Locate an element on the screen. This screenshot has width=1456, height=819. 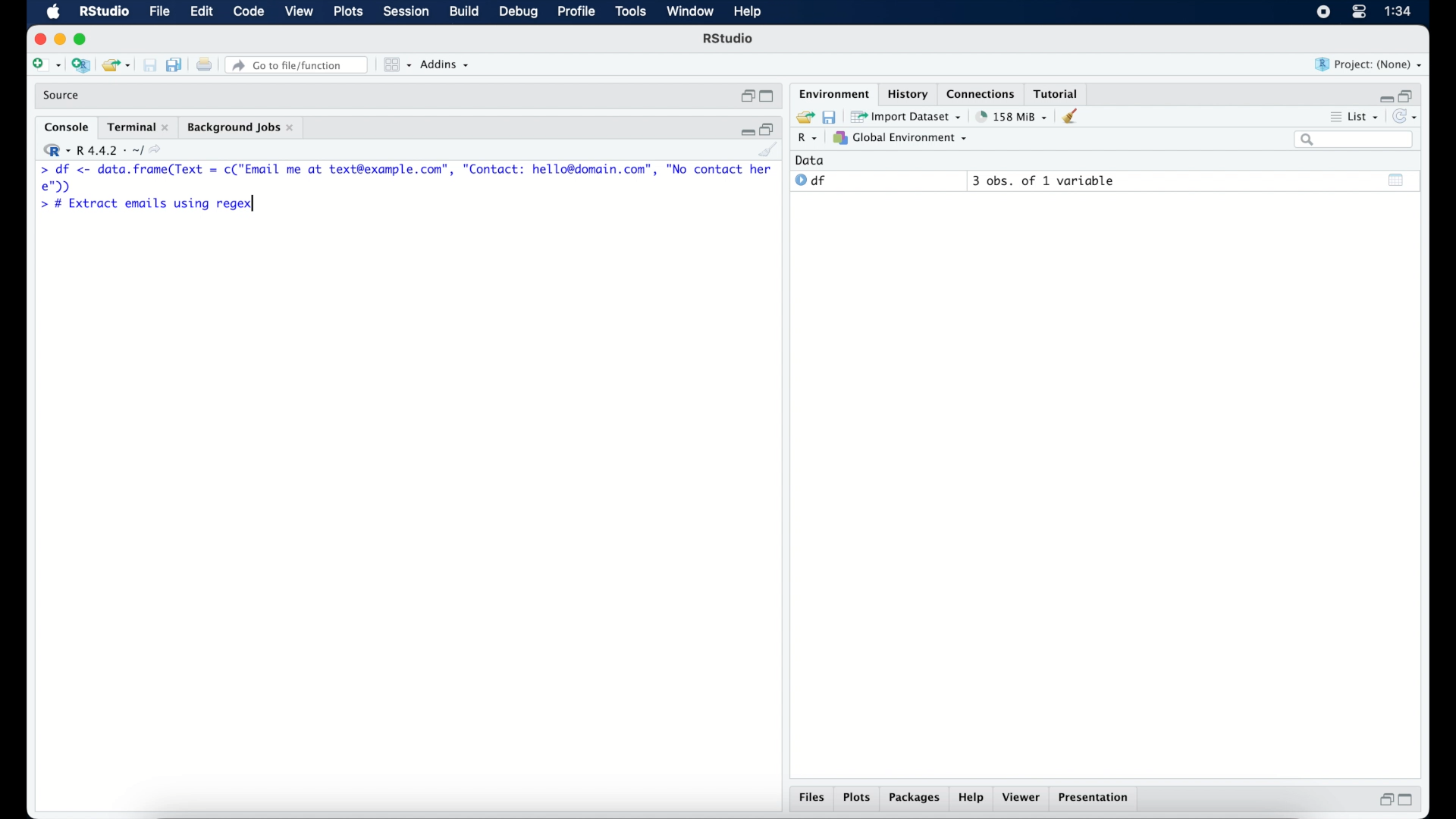
> # Extract emails using regex| is located at coordinates (146, 205).